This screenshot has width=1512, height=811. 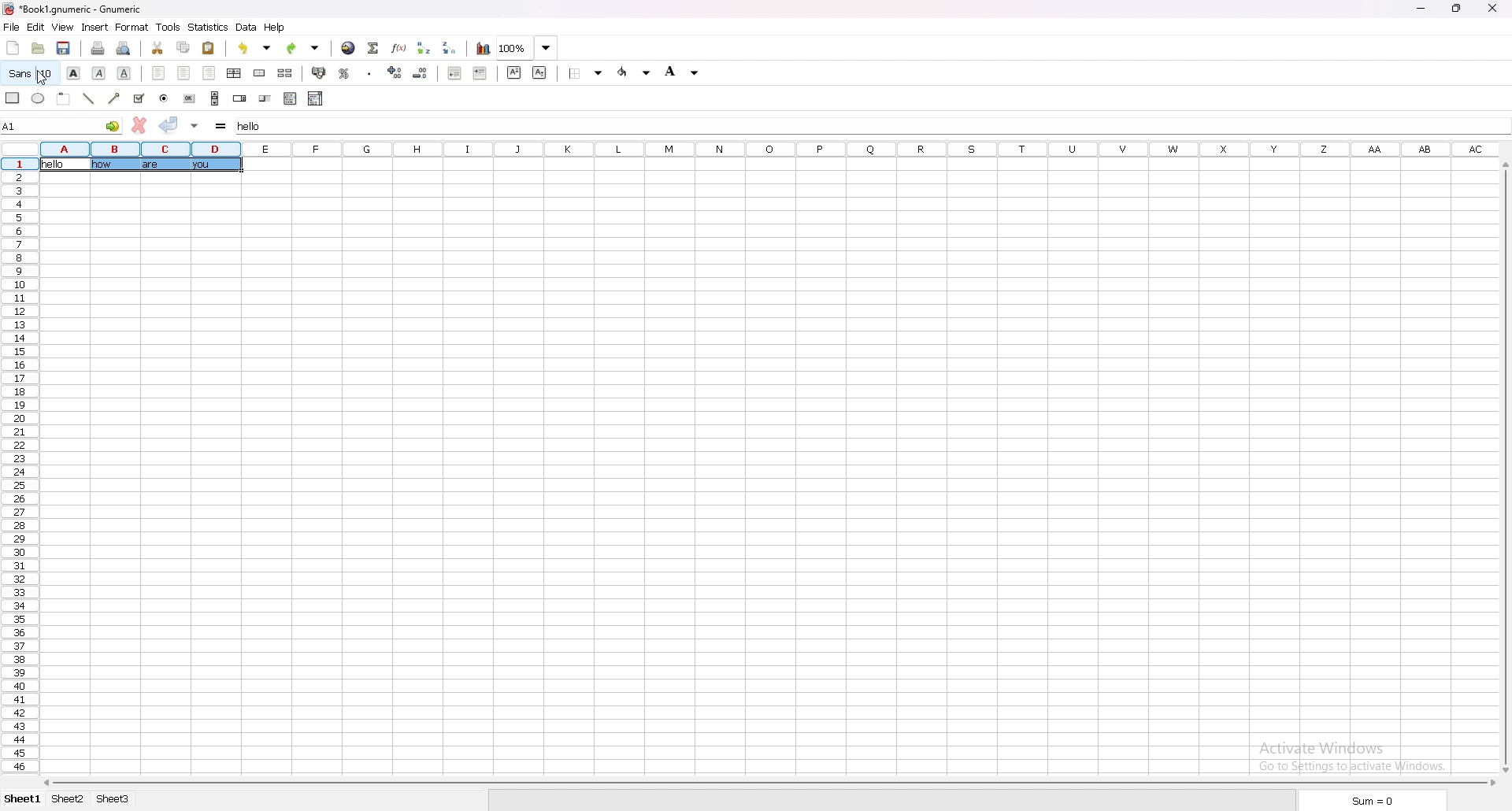 What do you see at coordinates (1504, 466) in the screenshot?
I see `scroll bar` at bounding box center [1504, 466].